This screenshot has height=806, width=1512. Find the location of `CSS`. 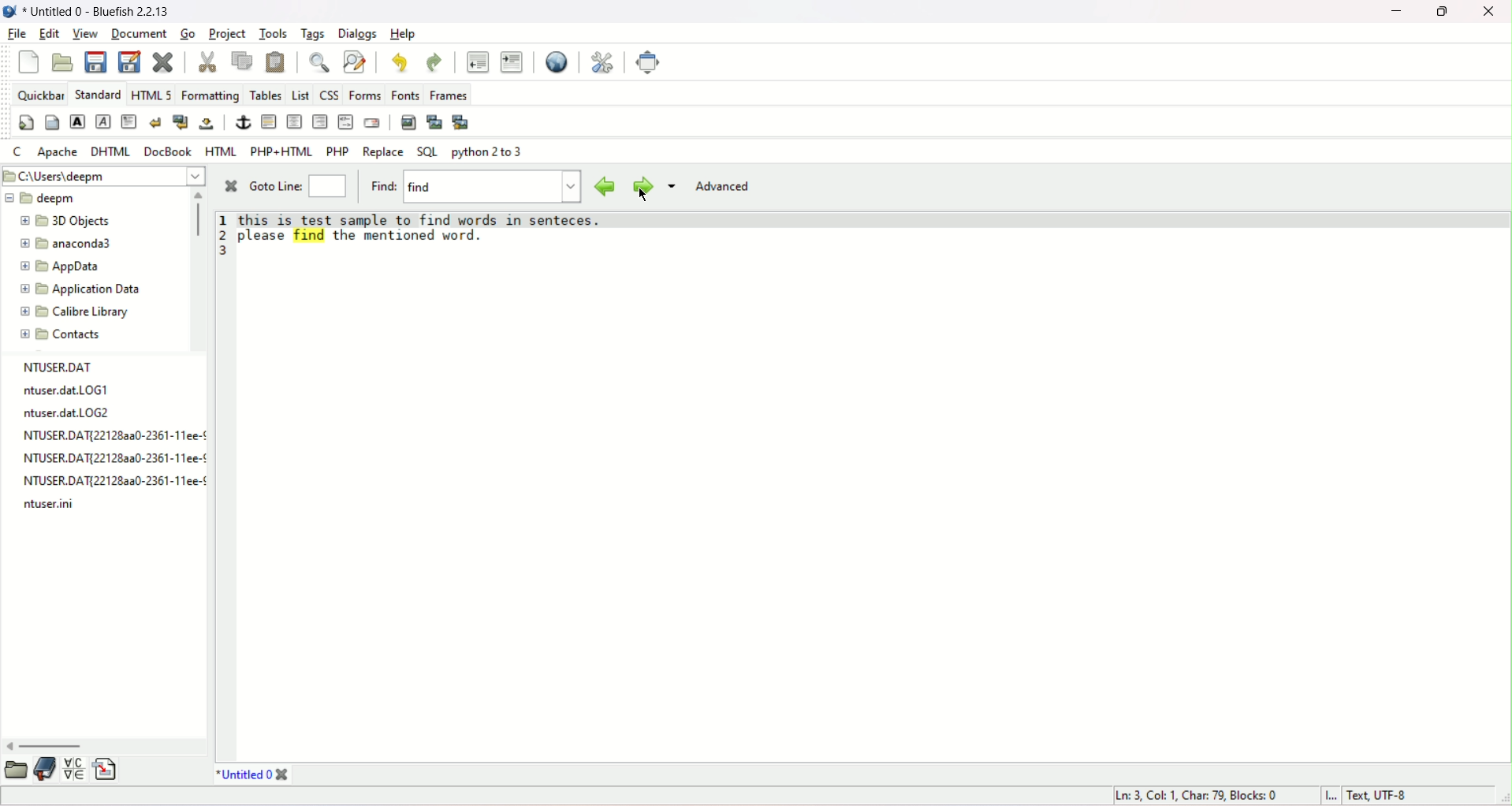

CSS is located at coordinates (326, 95).